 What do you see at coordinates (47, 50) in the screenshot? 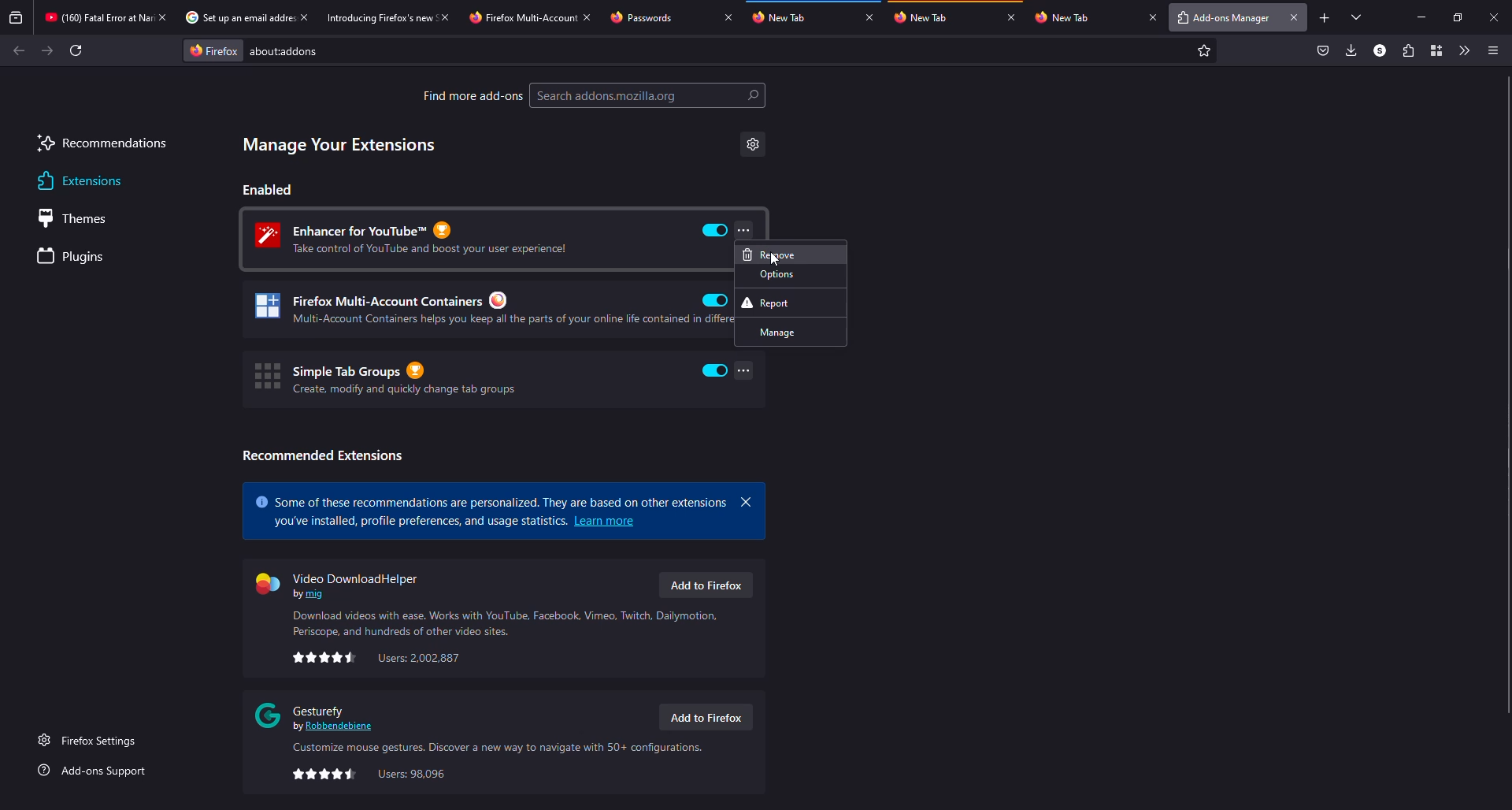
I see `forward` at bounding box center [47, 50].